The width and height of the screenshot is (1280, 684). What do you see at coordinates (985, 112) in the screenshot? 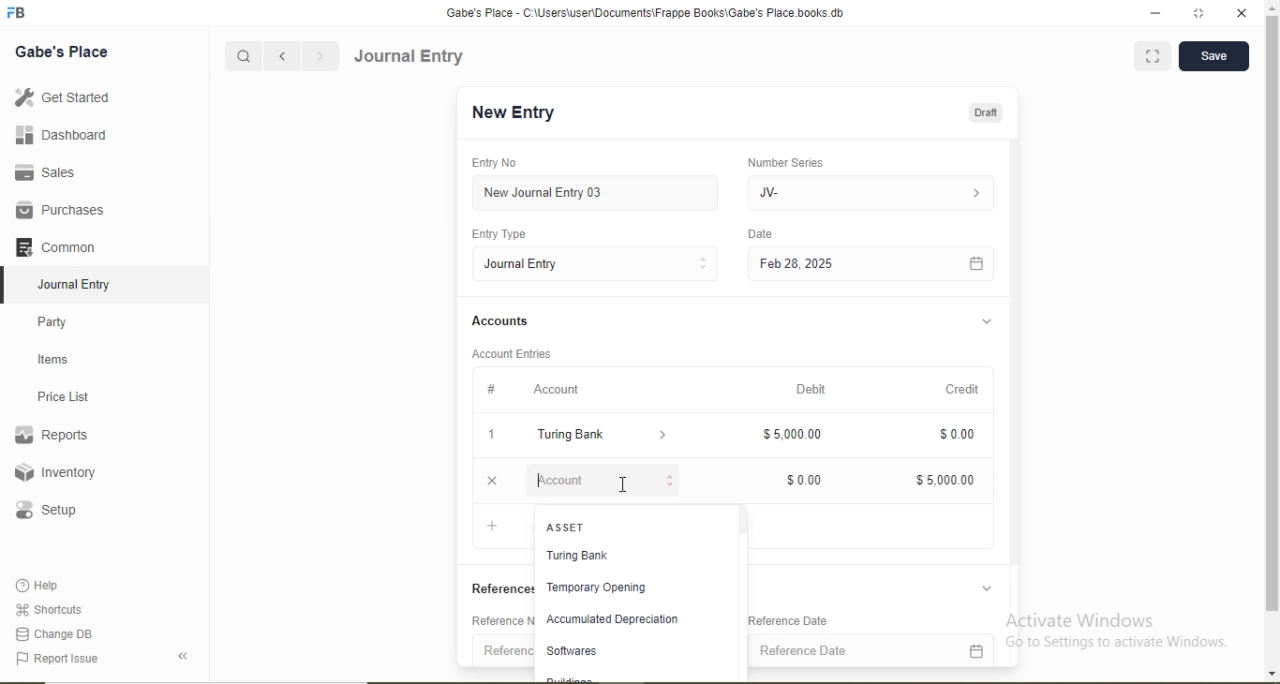
I see `Draft` at bounding box center [985, 112].